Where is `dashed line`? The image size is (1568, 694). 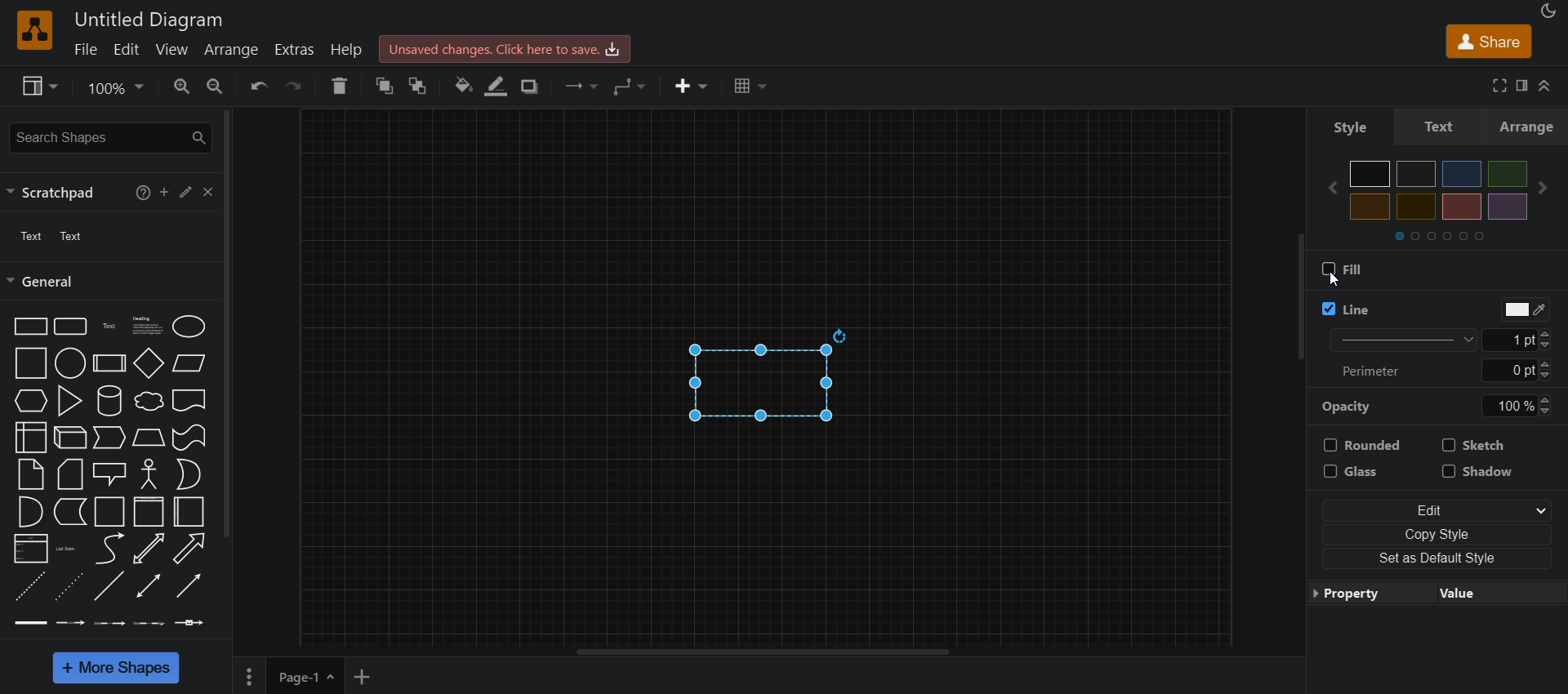 dashed line is located at coordinates (30, 589).